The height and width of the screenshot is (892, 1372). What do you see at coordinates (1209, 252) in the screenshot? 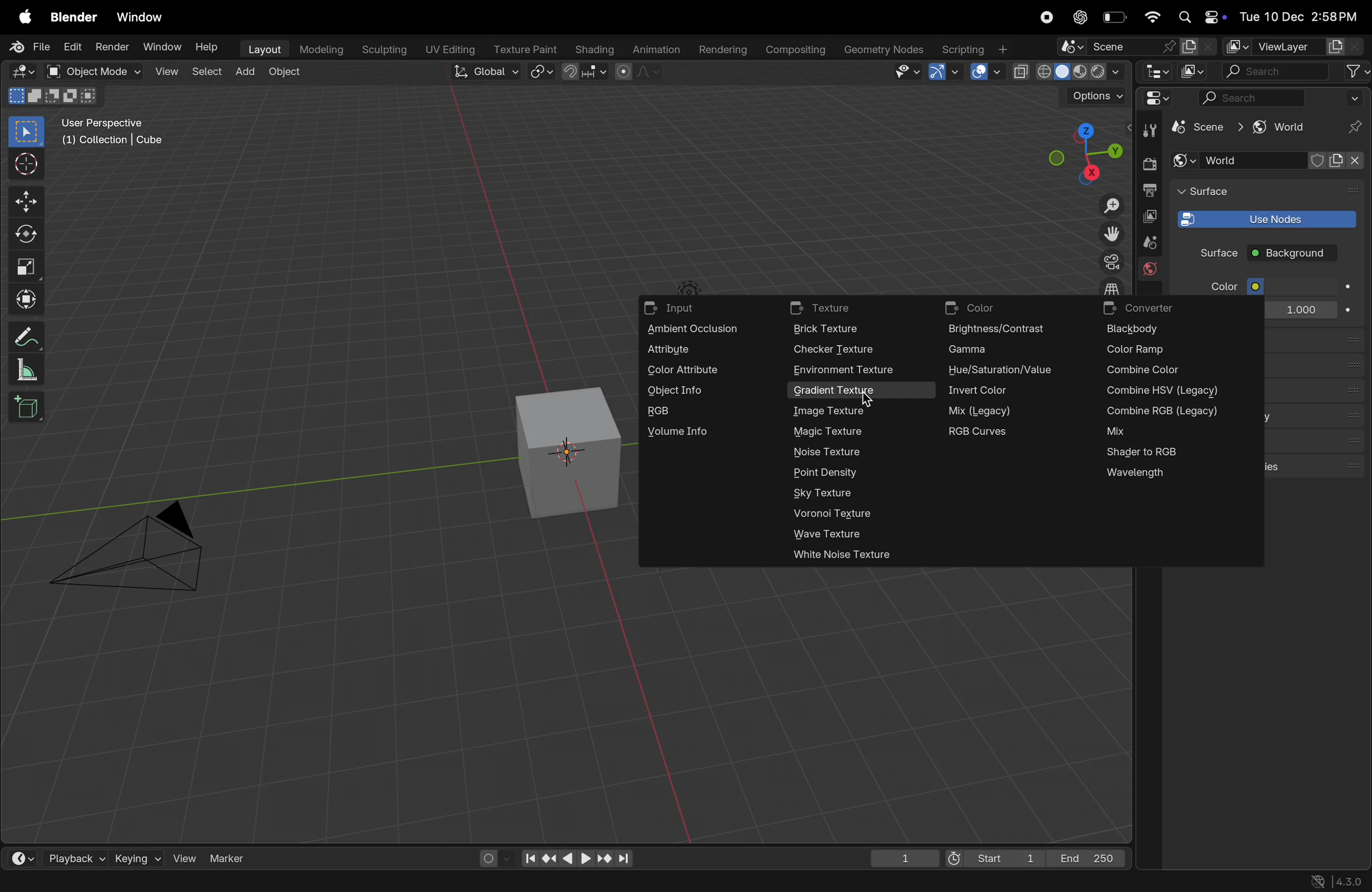
I see `Surface` at bounding box center [1209, 252].